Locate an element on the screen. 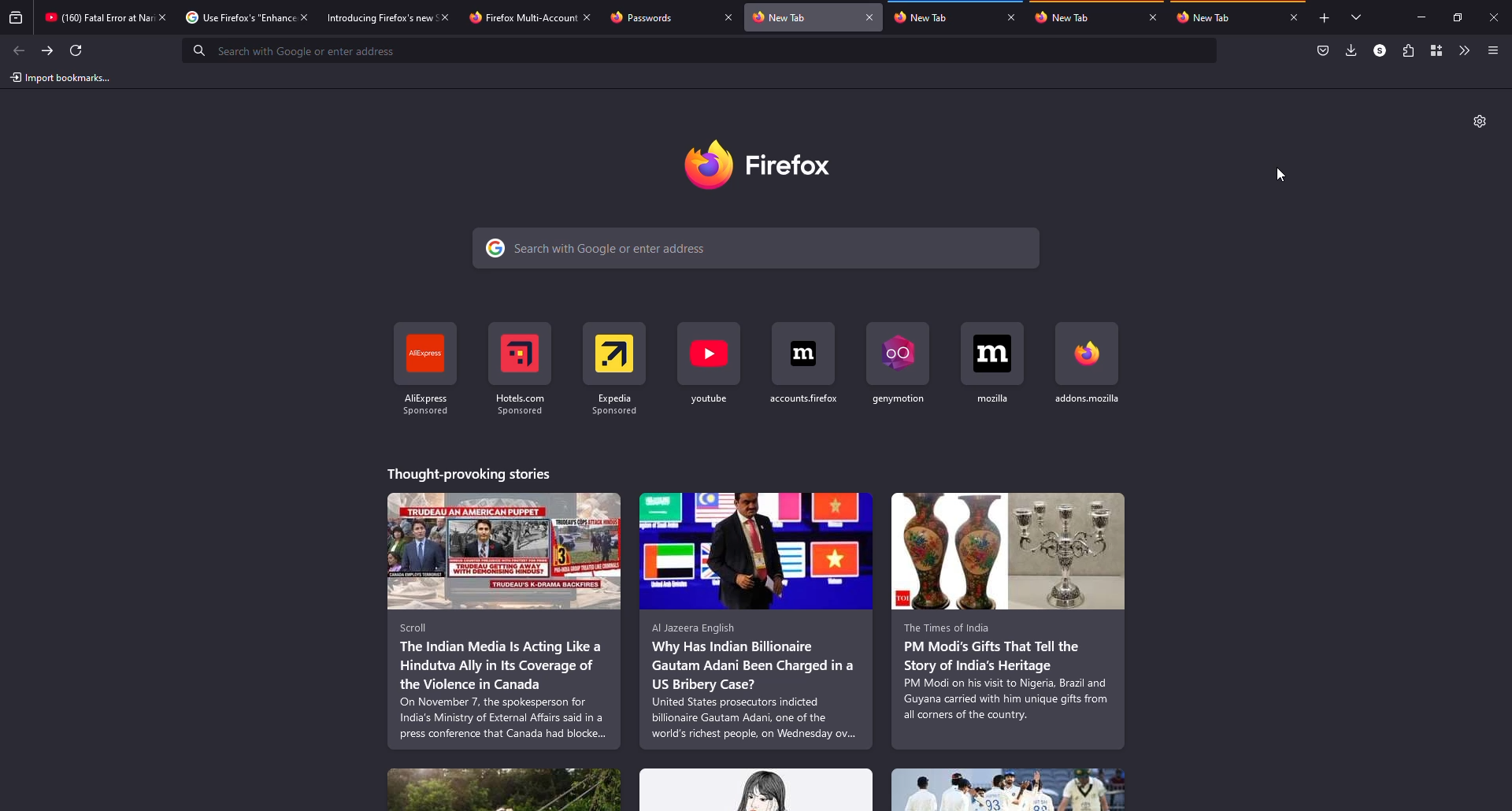 This screenshot has height=811, width=1512. tab is located at coordinates (93, 17).